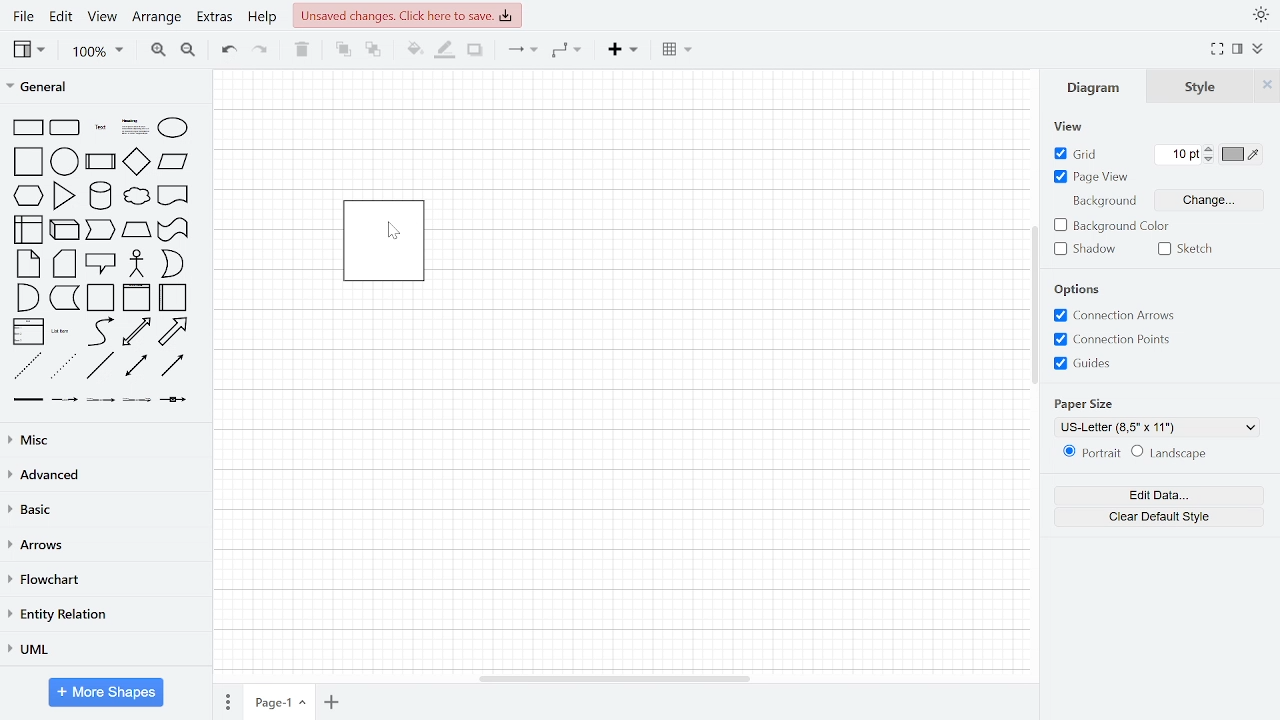 Image resolution: width=1280 pixels, height=720 pixels. What do you see at coordinates (1210, 148) in the screenshot?
I see `increase grid pt` at bounding box center [1210, 148].